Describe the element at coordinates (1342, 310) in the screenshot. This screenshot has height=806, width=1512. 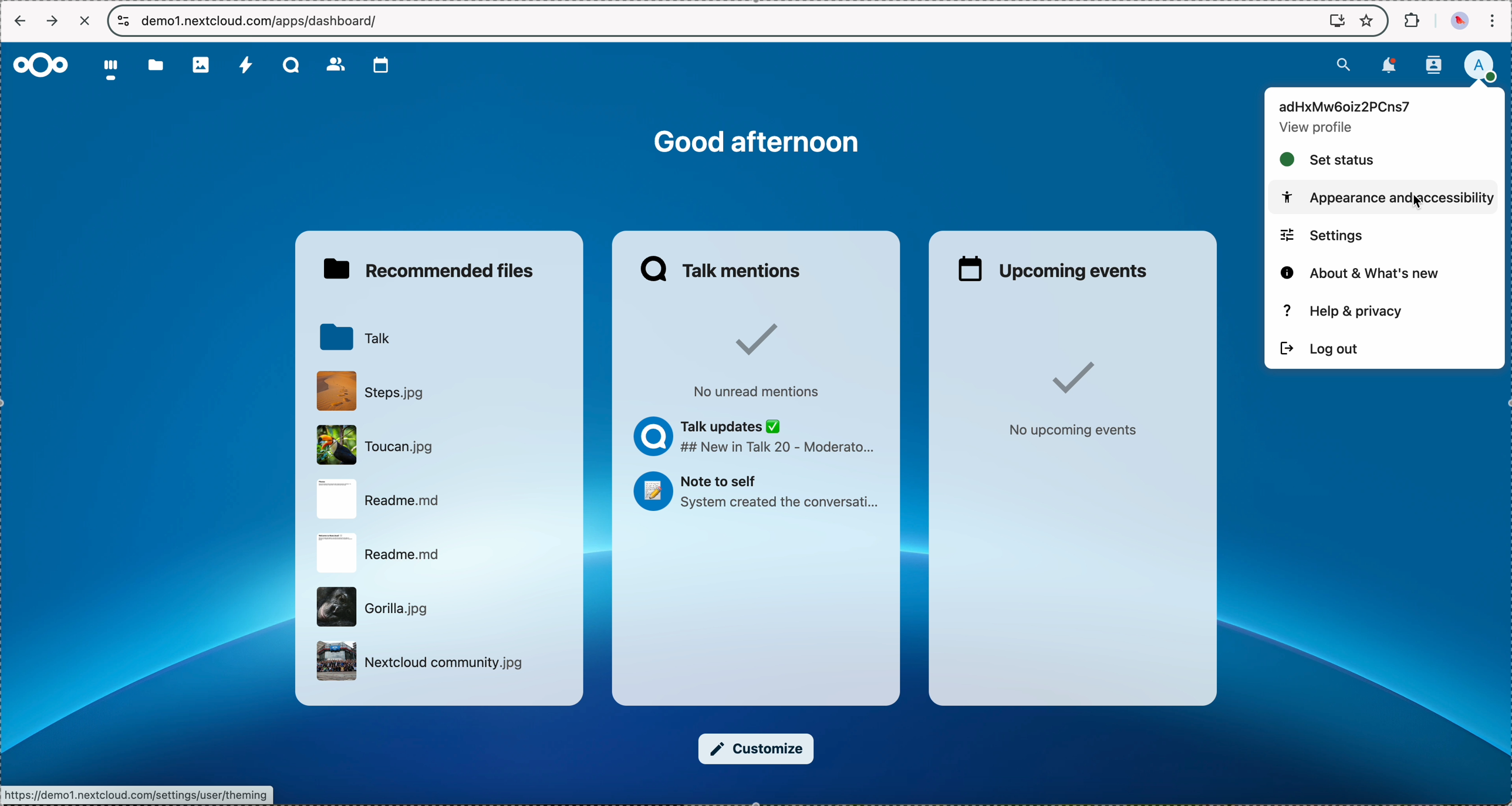
I see `help and privacy` at that location.